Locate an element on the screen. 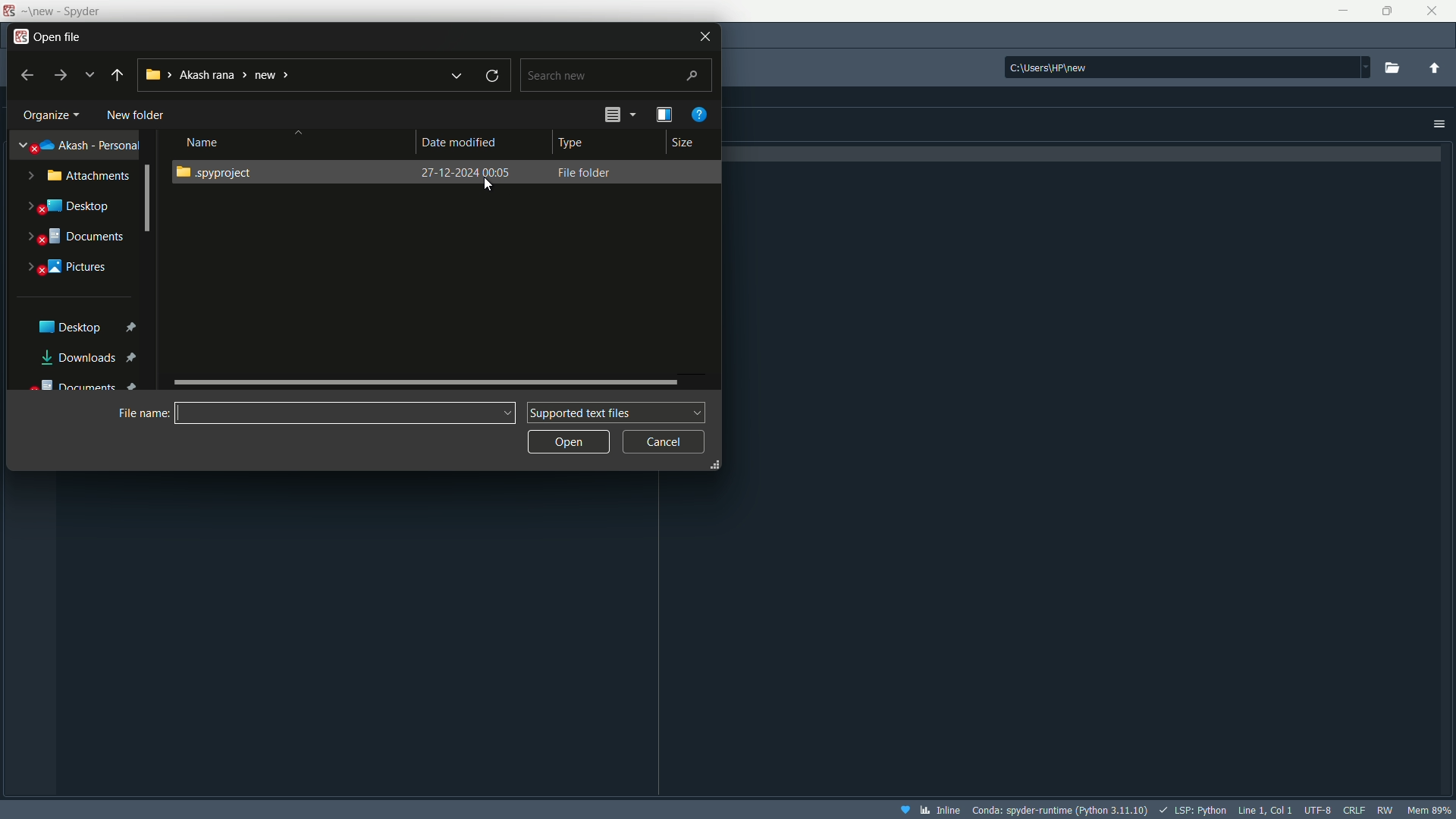  Desktop is located at coordinates (84, 328).